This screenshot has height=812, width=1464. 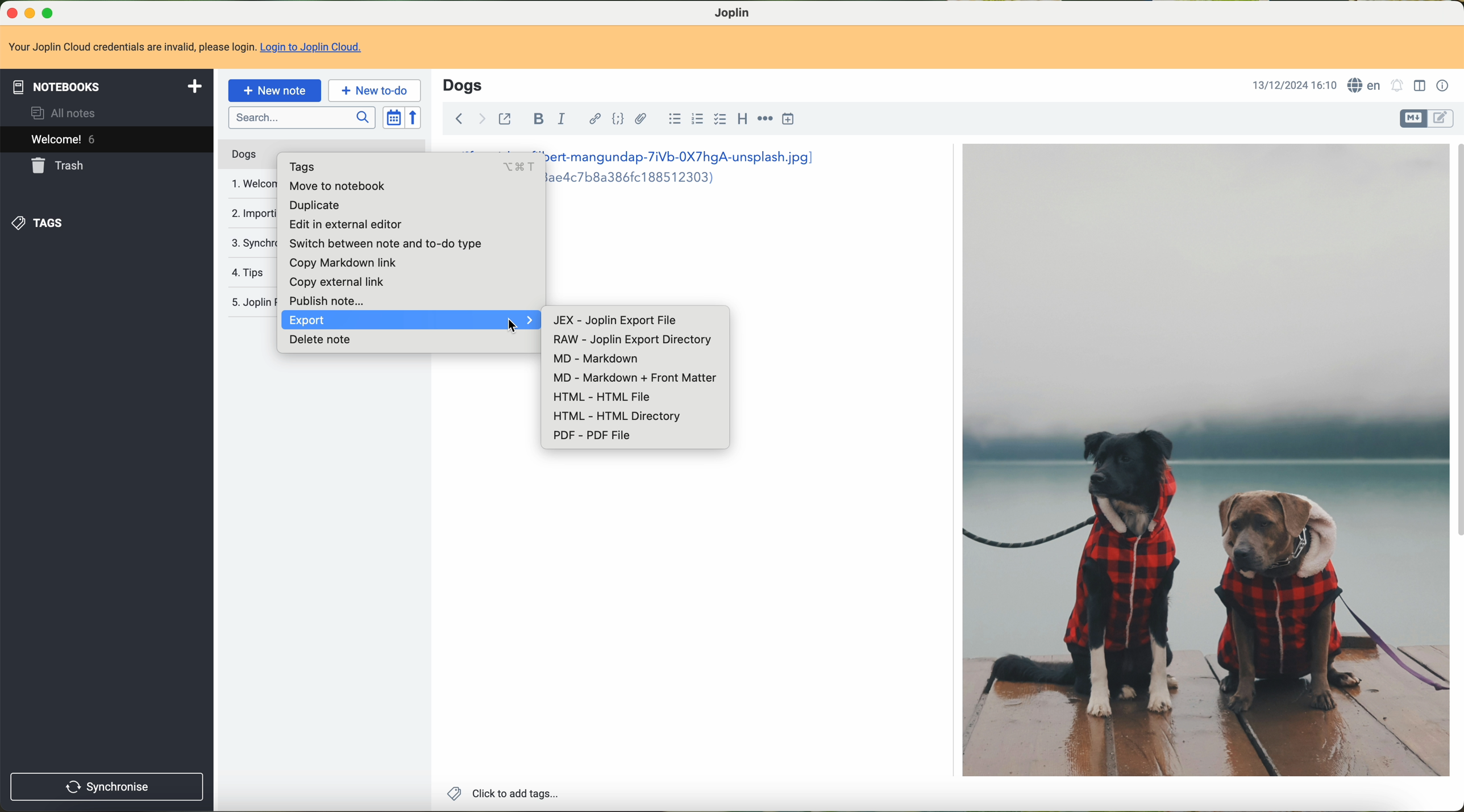 I want to click on bulleted list, so click(x=672, y=121).